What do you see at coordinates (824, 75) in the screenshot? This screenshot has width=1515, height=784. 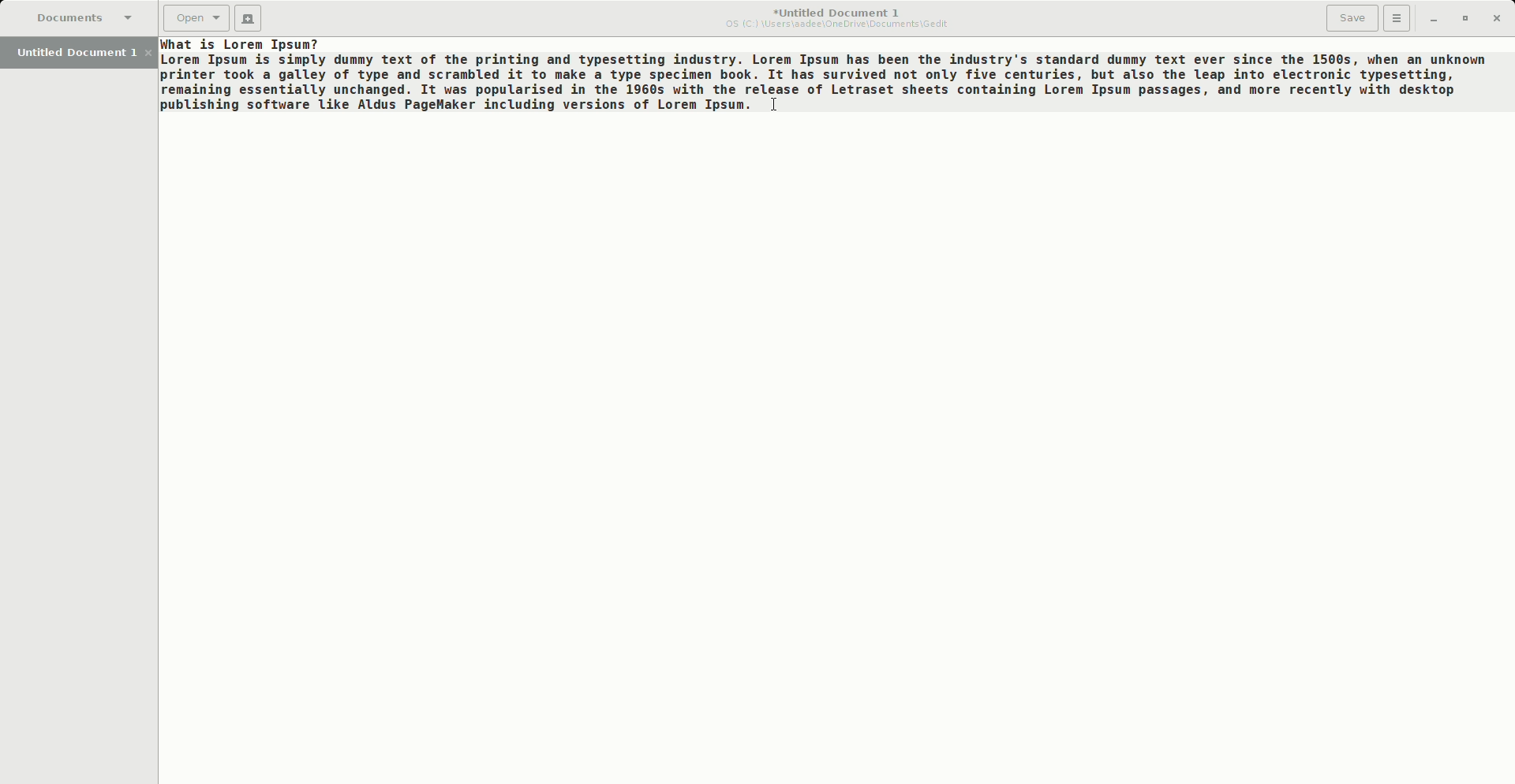 I see `Filler text` at bounding box center [824, 75].